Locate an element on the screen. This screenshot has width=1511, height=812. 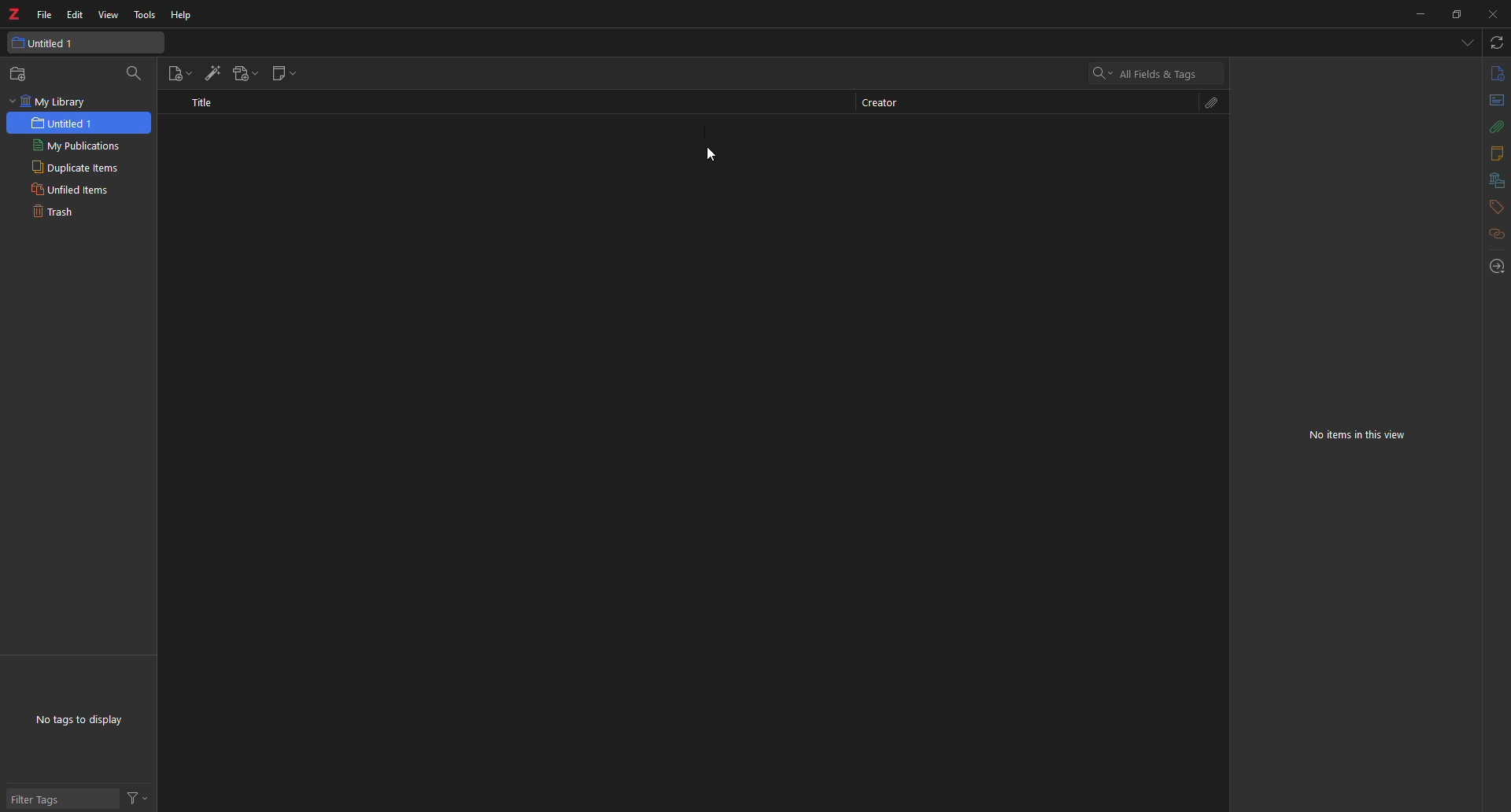
unfiled items is located at coordinates (79, 191).